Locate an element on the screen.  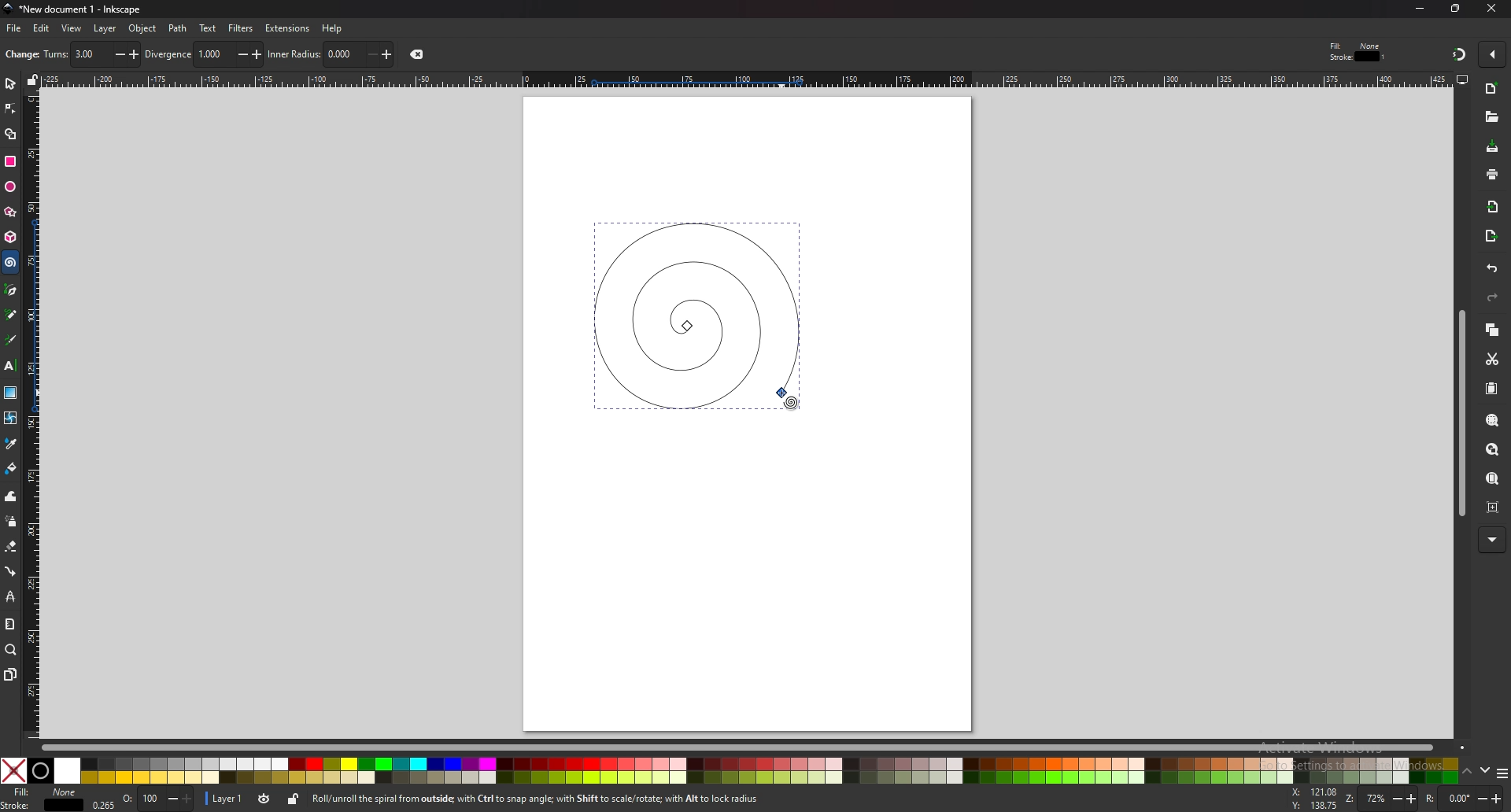
calligraphy is located at coordinates (12, 339).